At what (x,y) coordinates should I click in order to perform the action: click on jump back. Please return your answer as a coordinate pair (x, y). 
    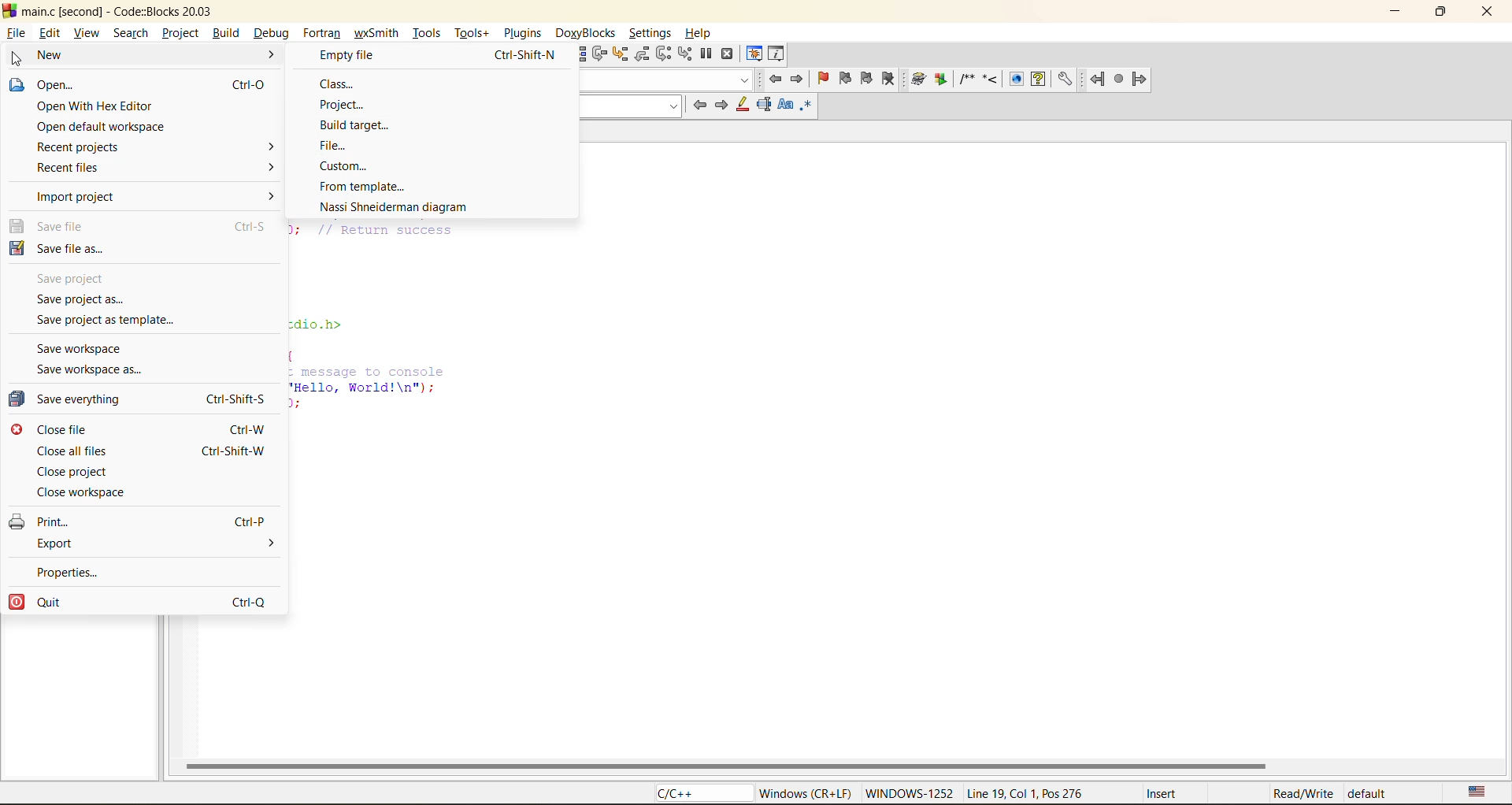
    Looking at the image, I should click on (777, 80).